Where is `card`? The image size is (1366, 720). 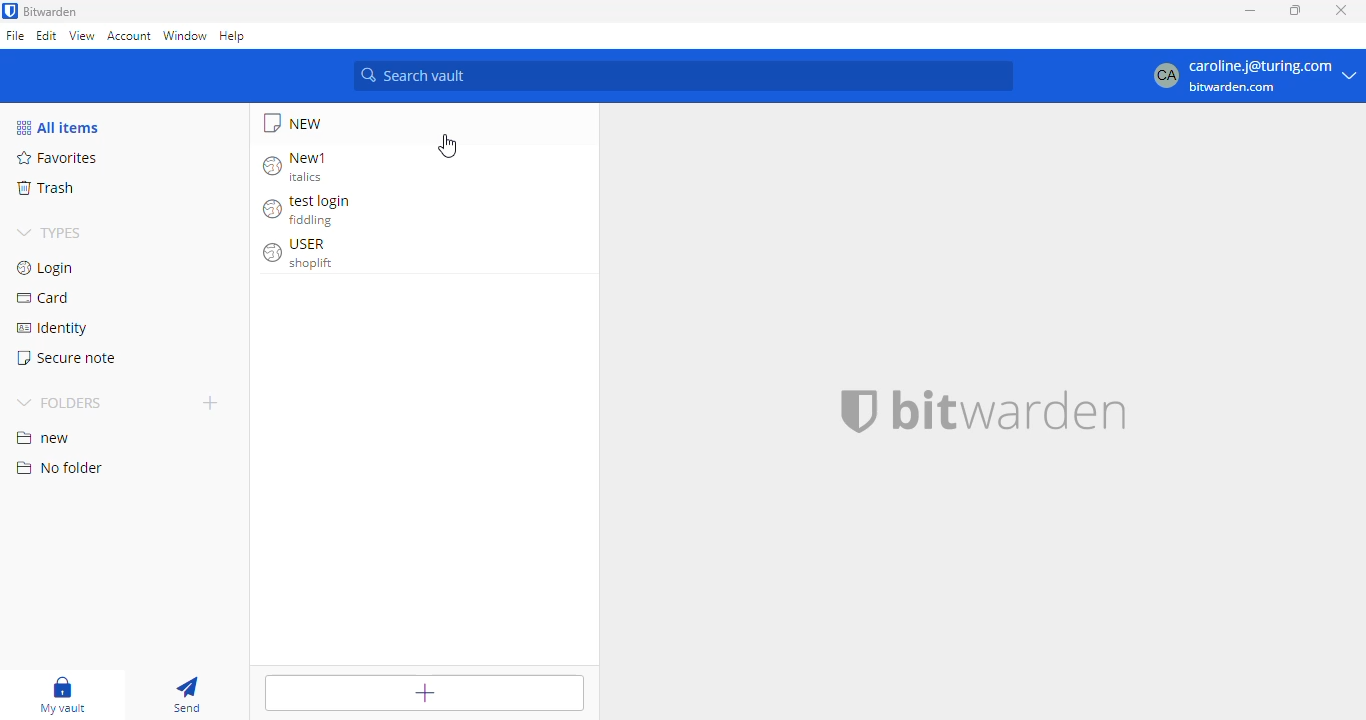 card is located at coordinates (44, 298).